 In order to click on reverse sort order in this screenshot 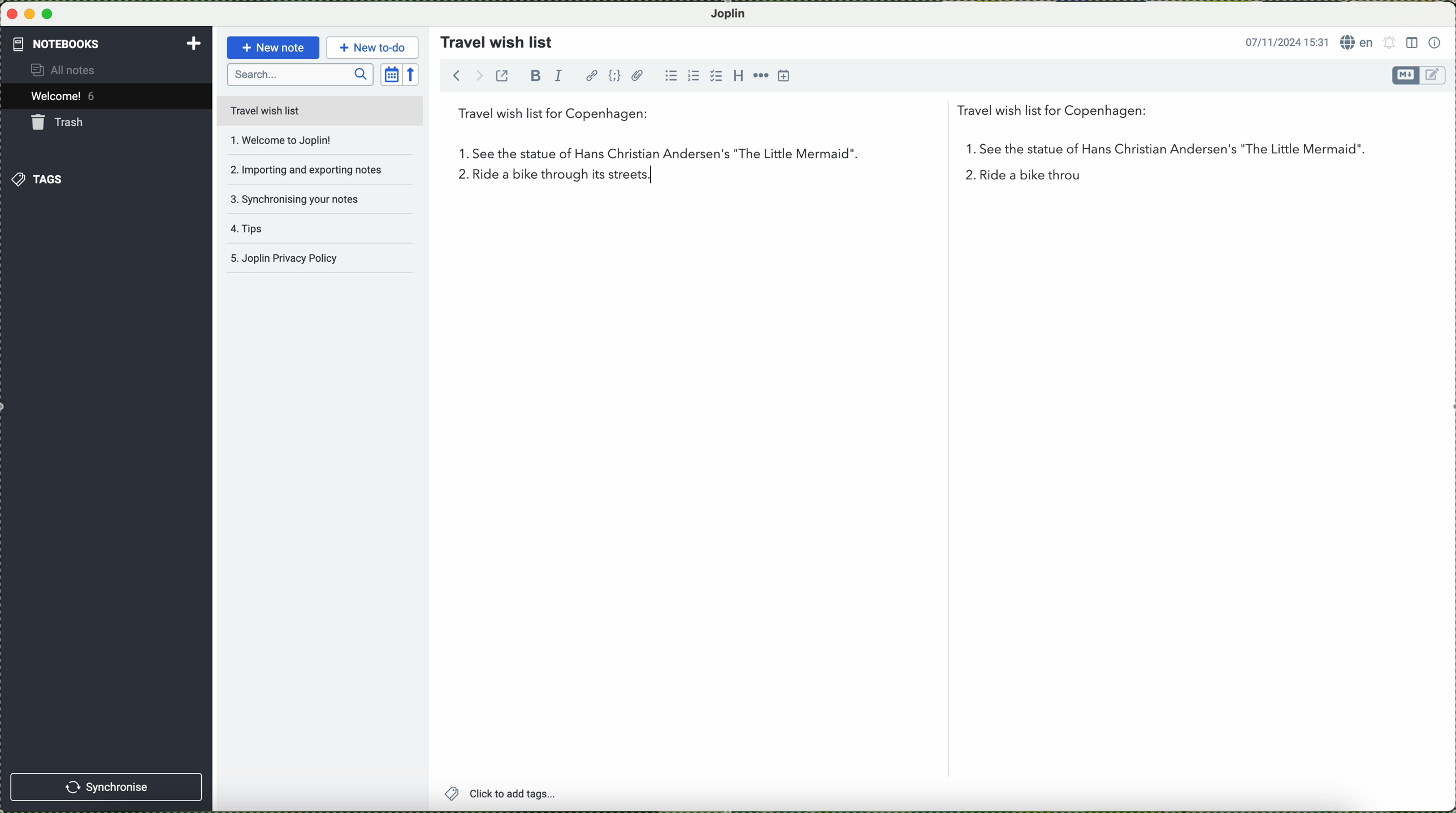, I will do `click(414, 73)`.